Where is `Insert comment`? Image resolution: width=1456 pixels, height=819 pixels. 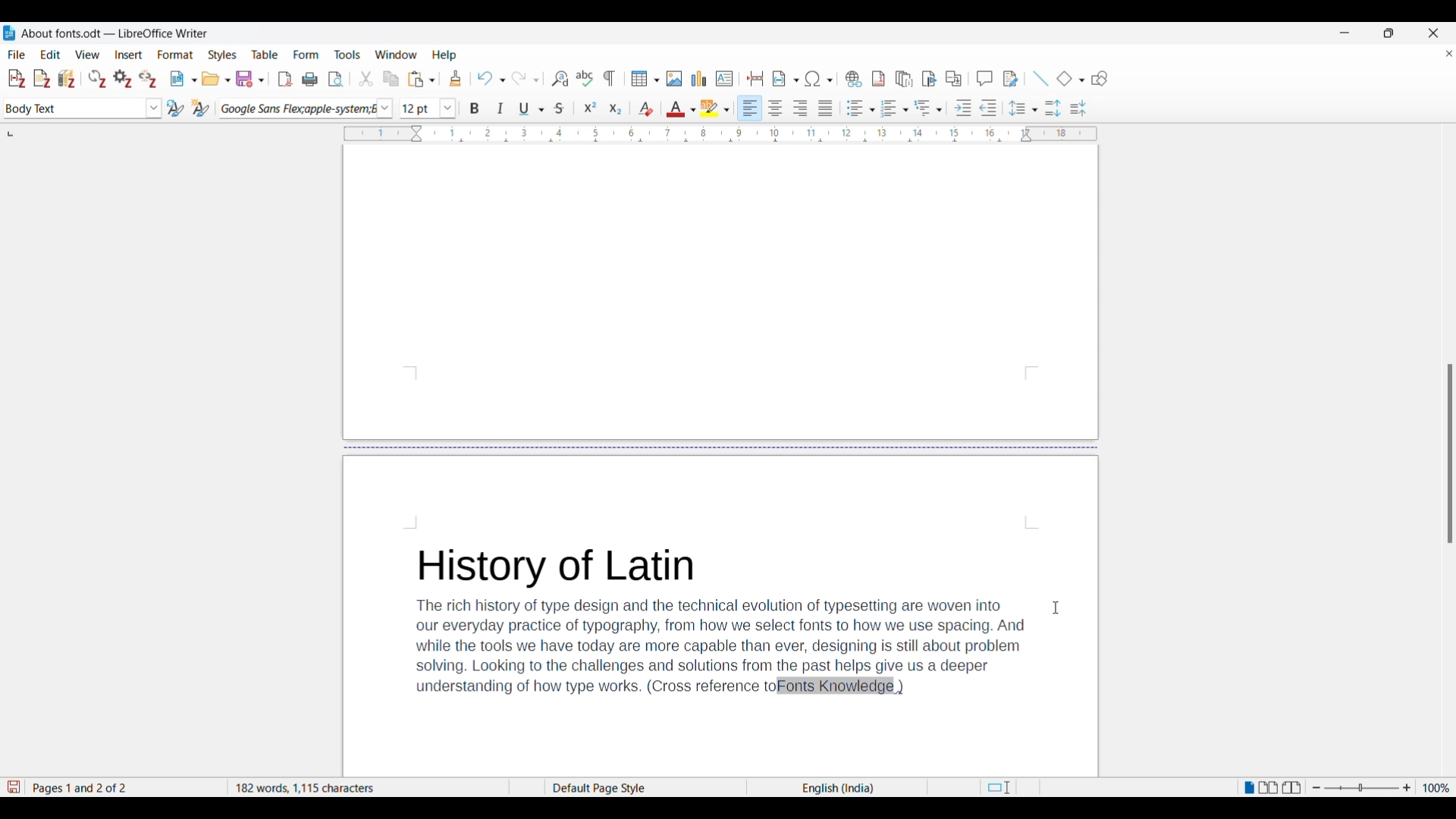 Insert comment is located at coordinates (984, 78).